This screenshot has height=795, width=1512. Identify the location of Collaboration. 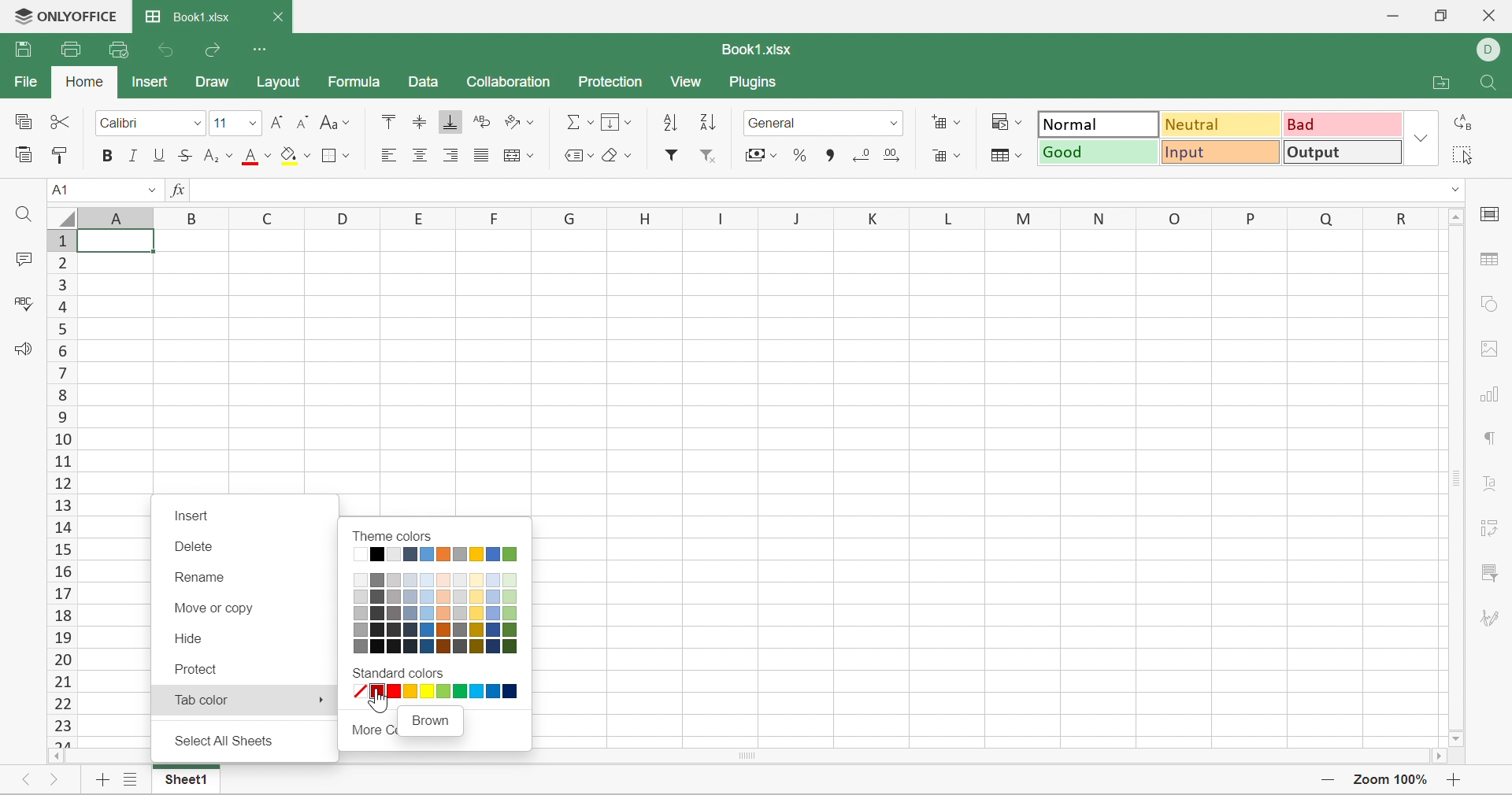
(508, 83).